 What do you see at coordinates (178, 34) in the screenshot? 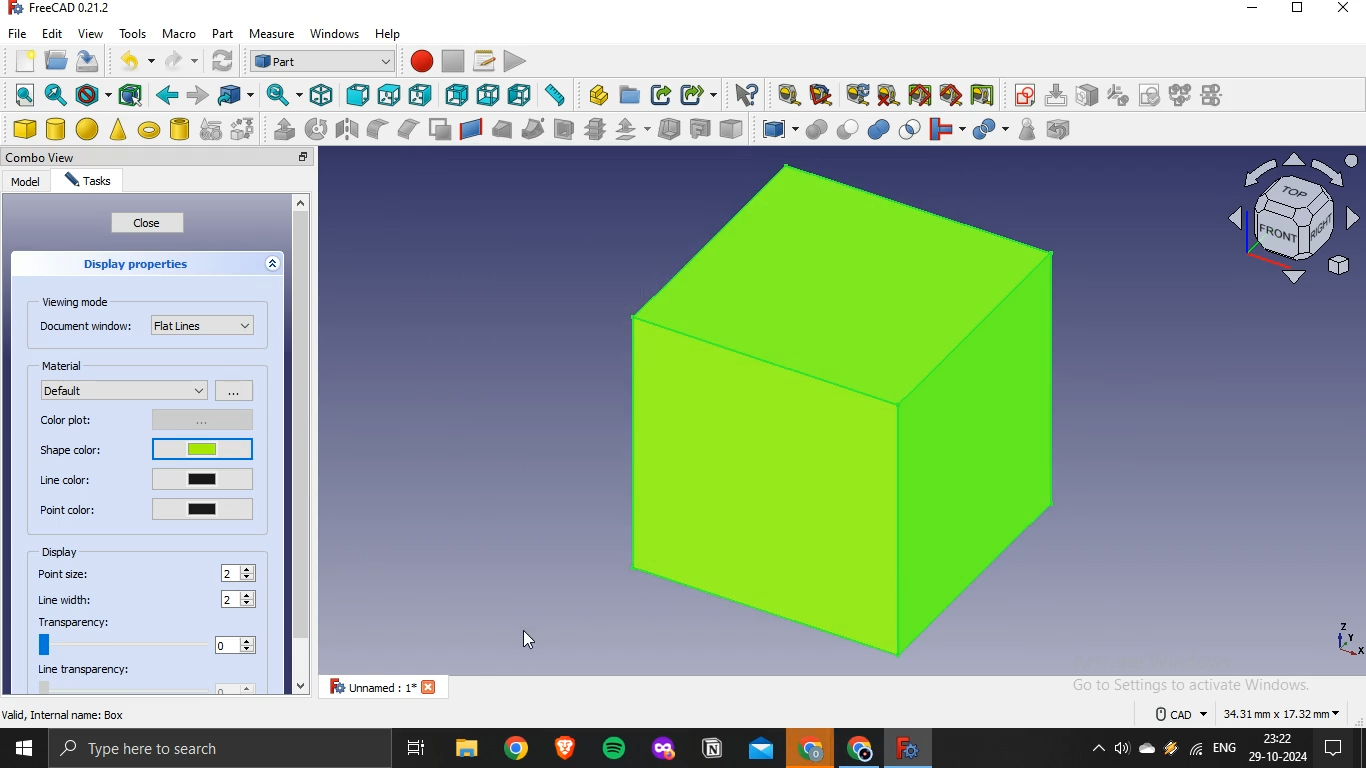
I see `macro` at bounding box center [178, 34].